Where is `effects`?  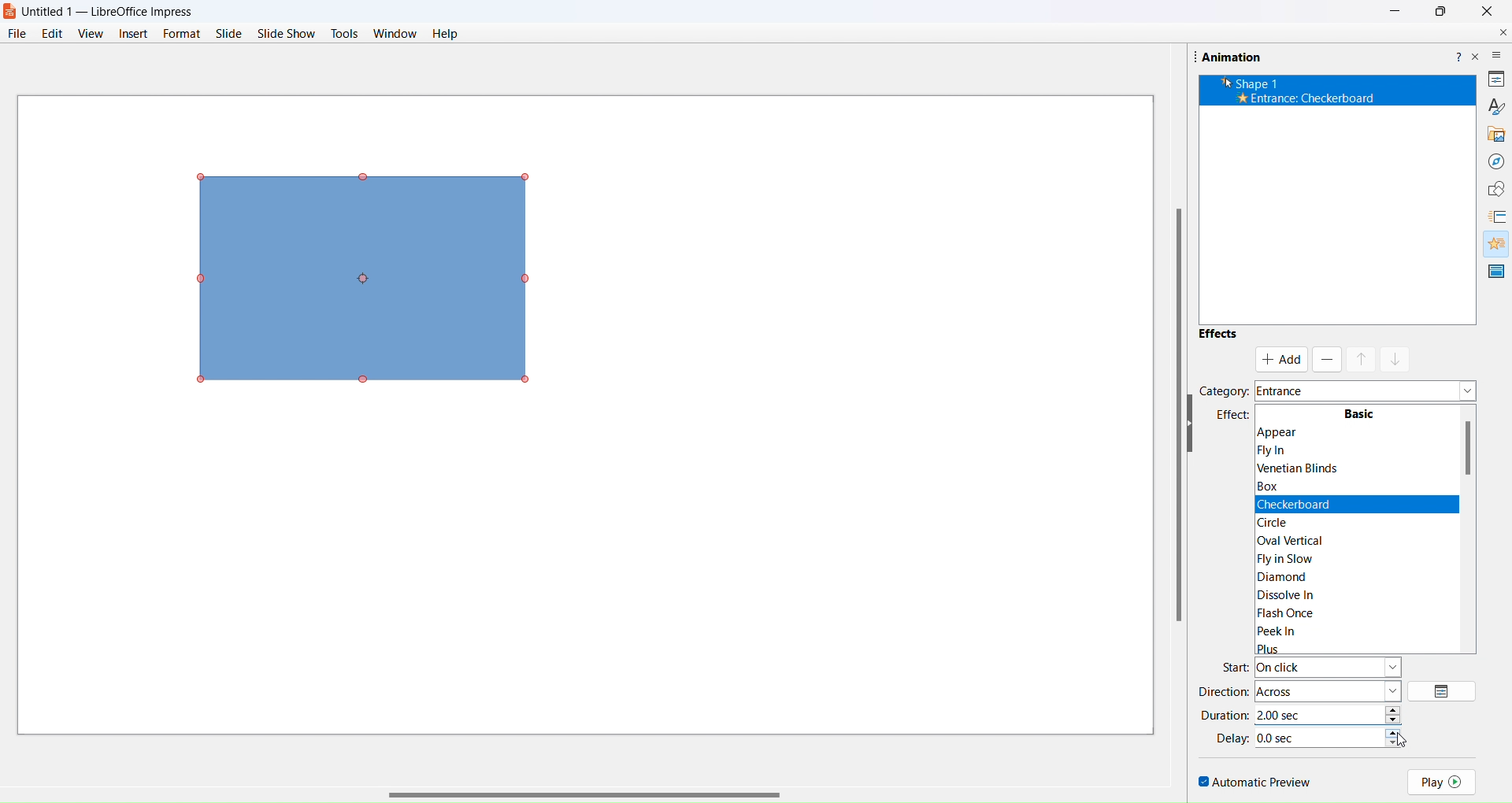
effects is located at coordinates (1224, 416).